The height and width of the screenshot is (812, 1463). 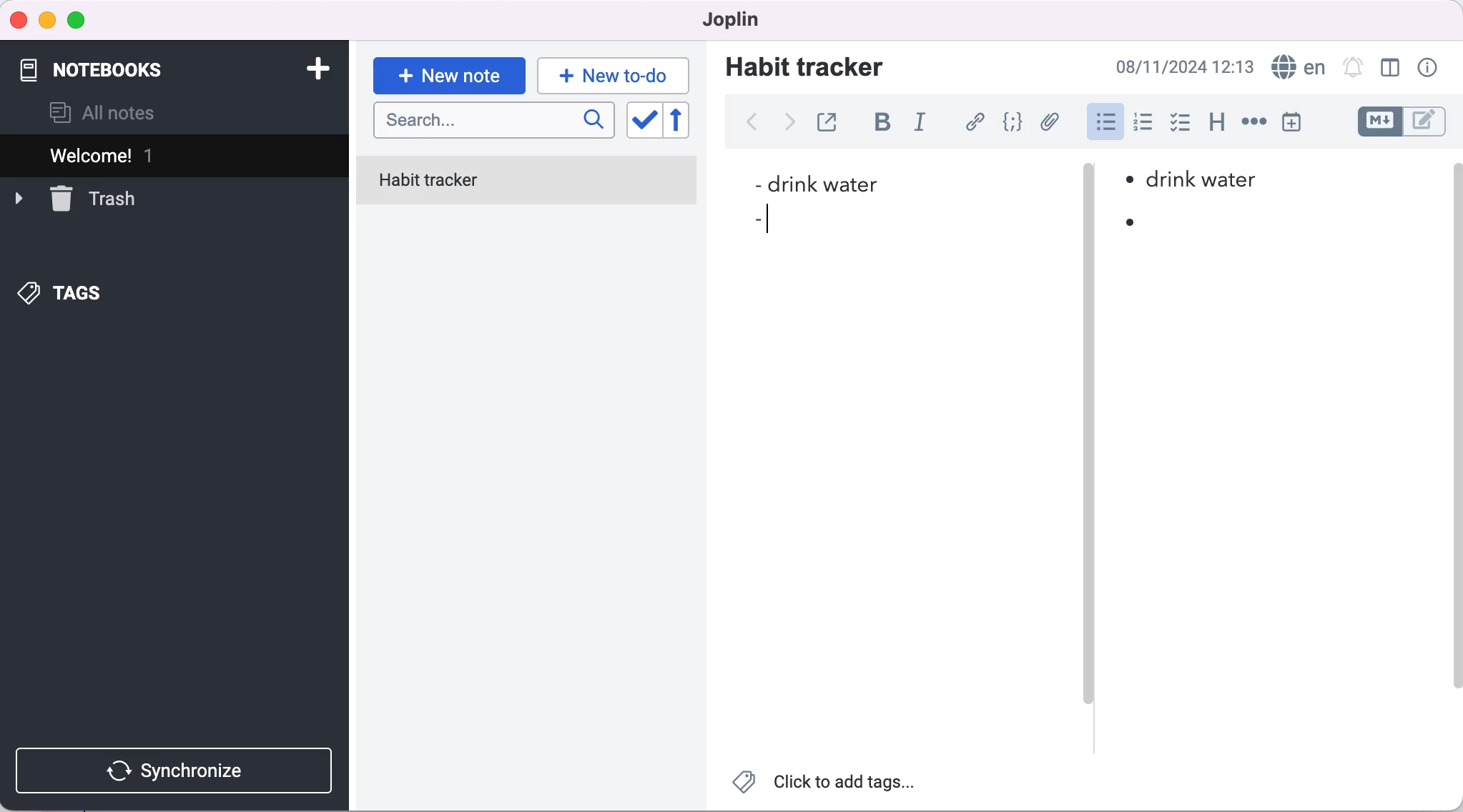 I want to click on horizontal rule, so click(x=1253, y=123).